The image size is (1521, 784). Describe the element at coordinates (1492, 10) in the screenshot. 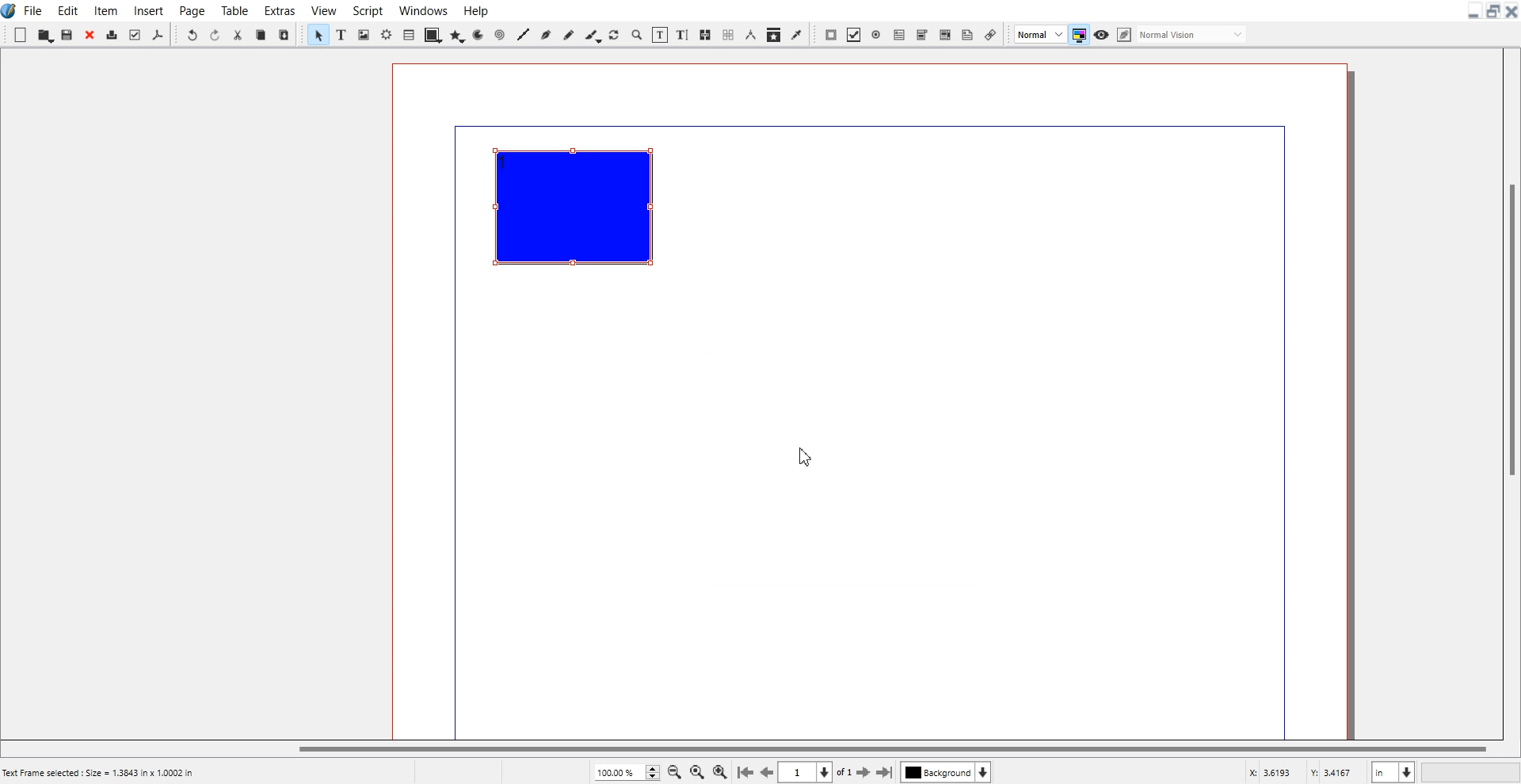

I see `Maximize` at that location.